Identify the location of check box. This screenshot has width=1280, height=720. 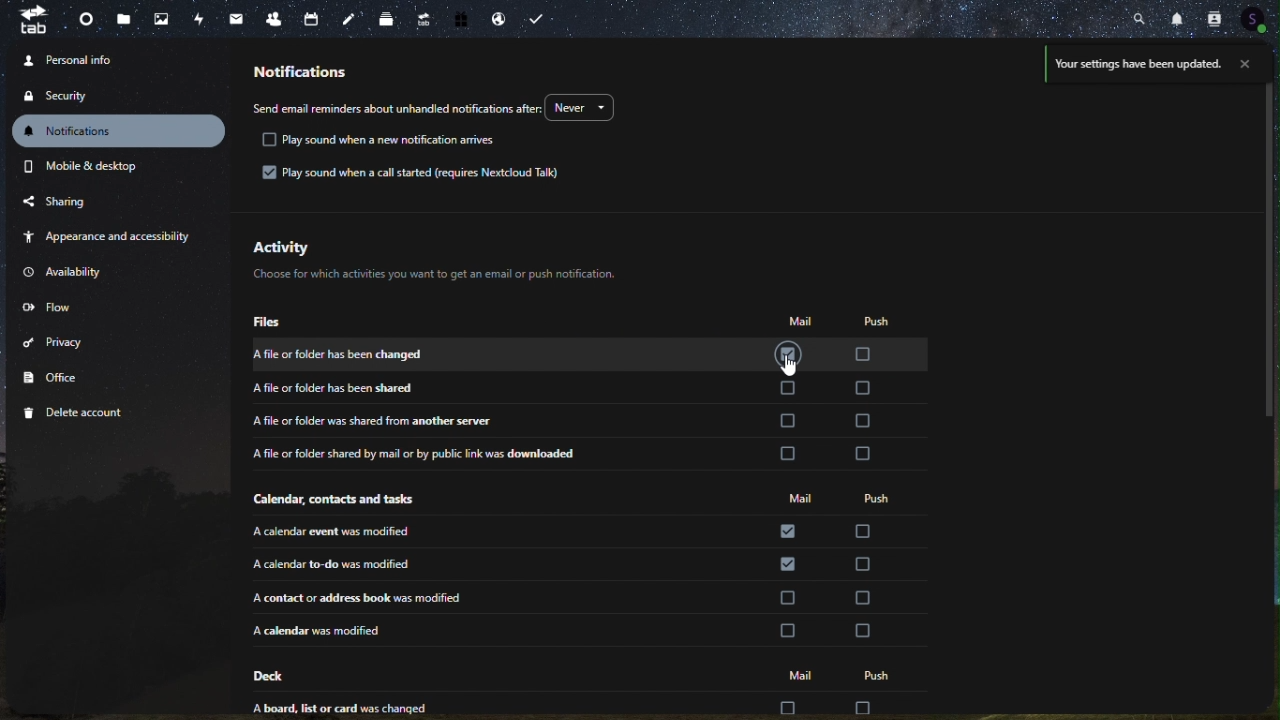
(791, 631).